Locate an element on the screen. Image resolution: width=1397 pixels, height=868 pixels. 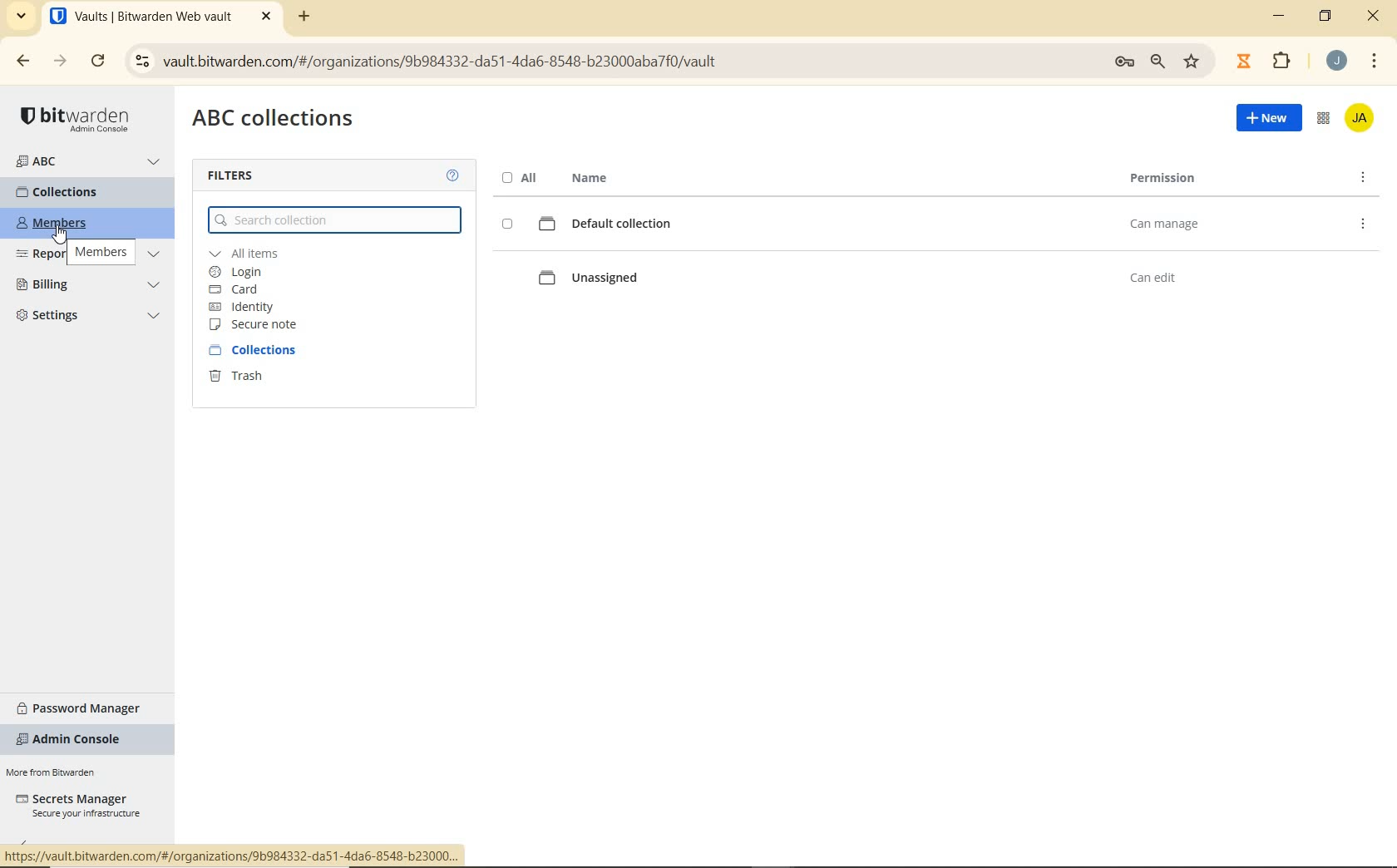
UNASSIGNED is located at coordinates (885, 275).